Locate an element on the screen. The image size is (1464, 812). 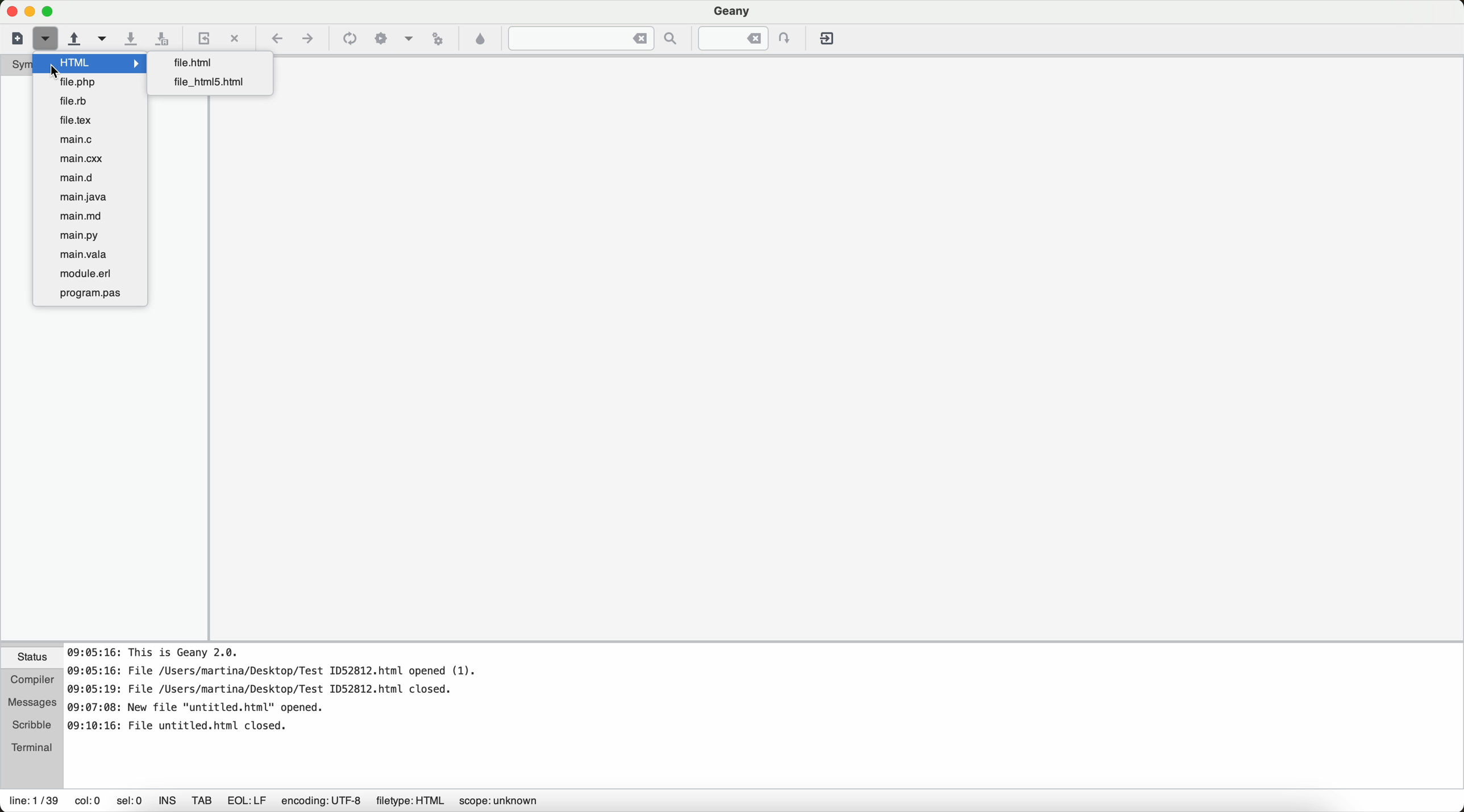
symbols is located at coordinates (15, 64).